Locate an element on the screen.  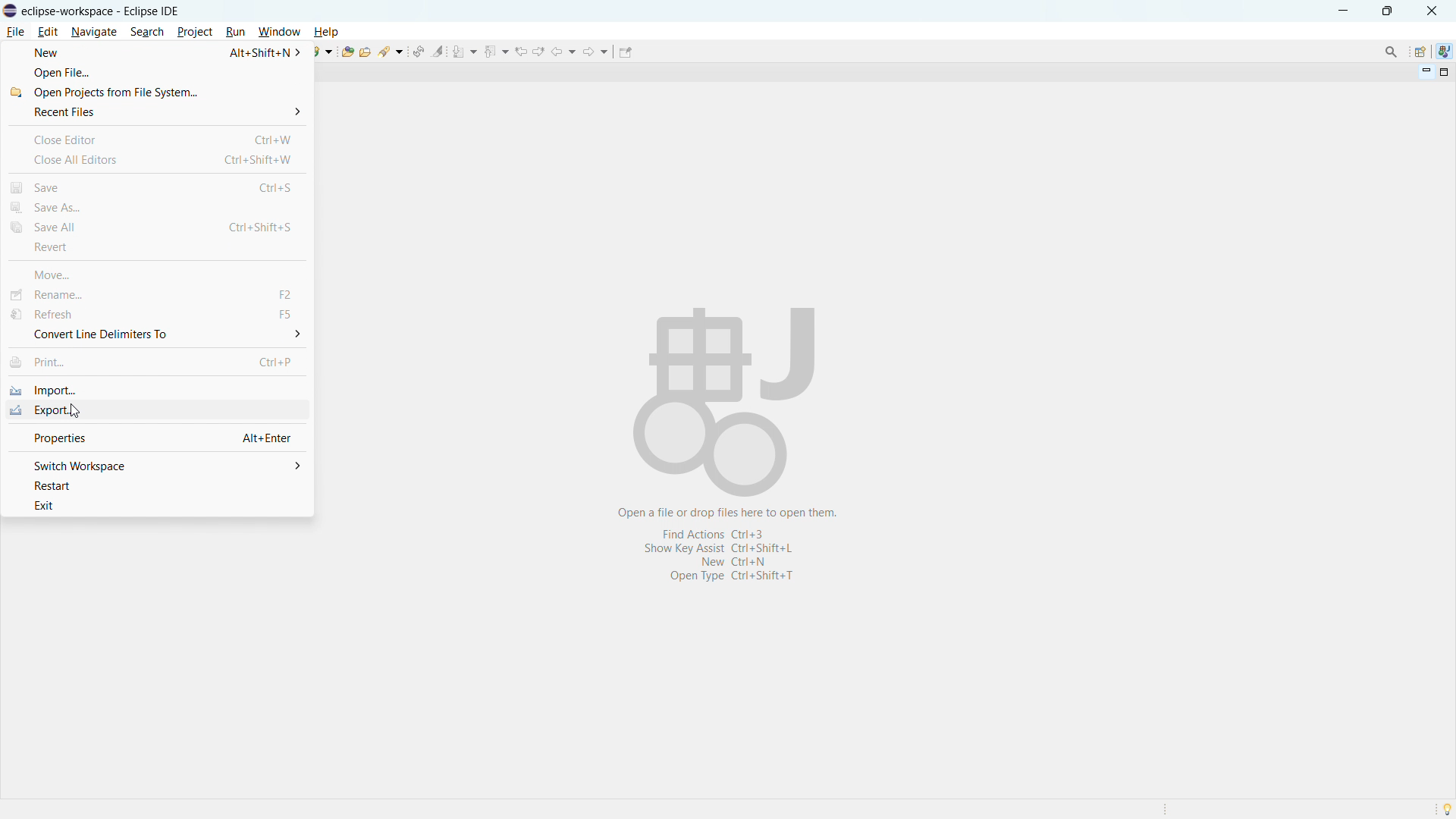
access commands and other items is located at coordinates (1392, 51).